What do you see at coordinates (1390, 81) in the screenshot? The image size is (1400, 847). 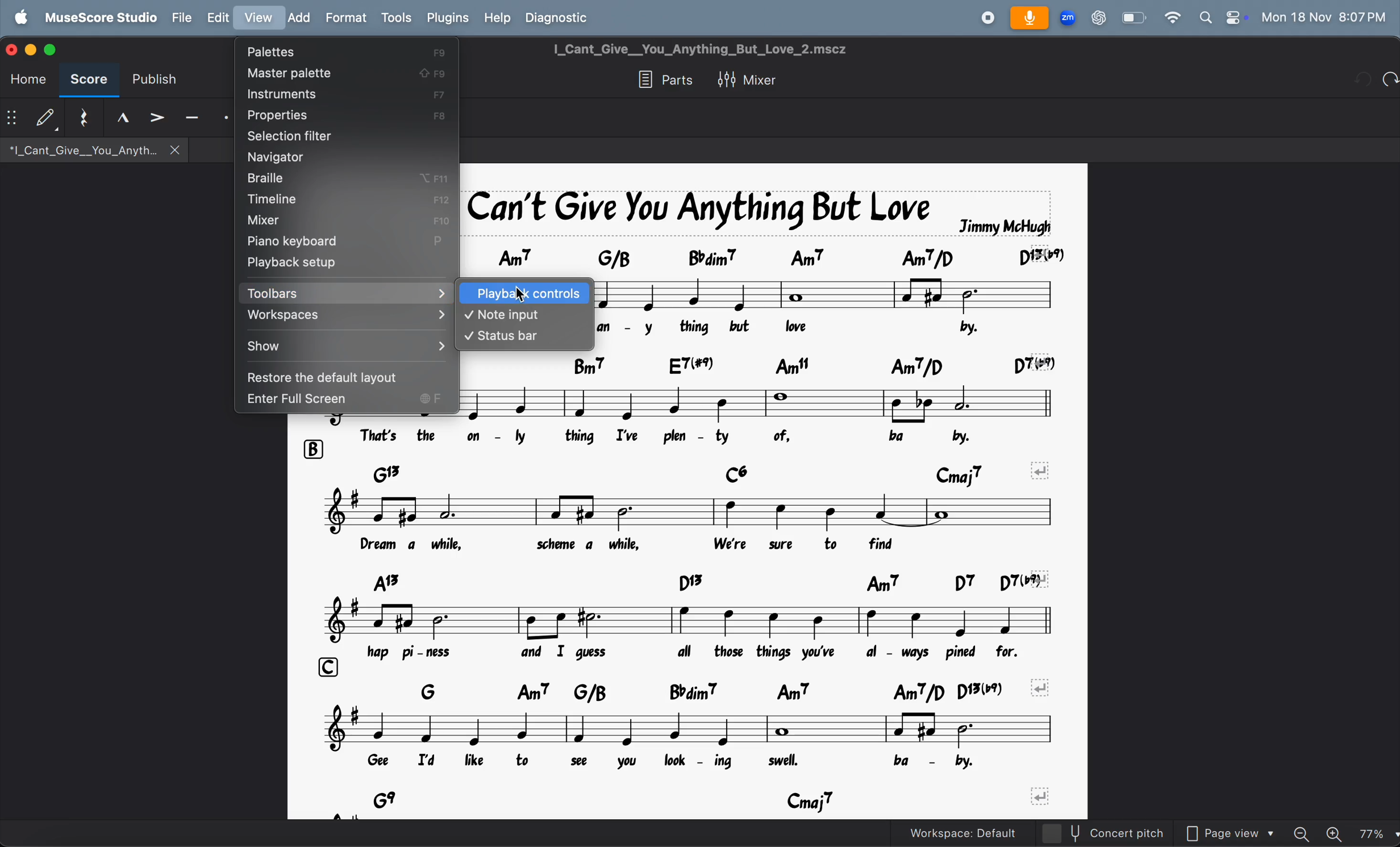 I see `undo` at bounding box center [1390, 81].